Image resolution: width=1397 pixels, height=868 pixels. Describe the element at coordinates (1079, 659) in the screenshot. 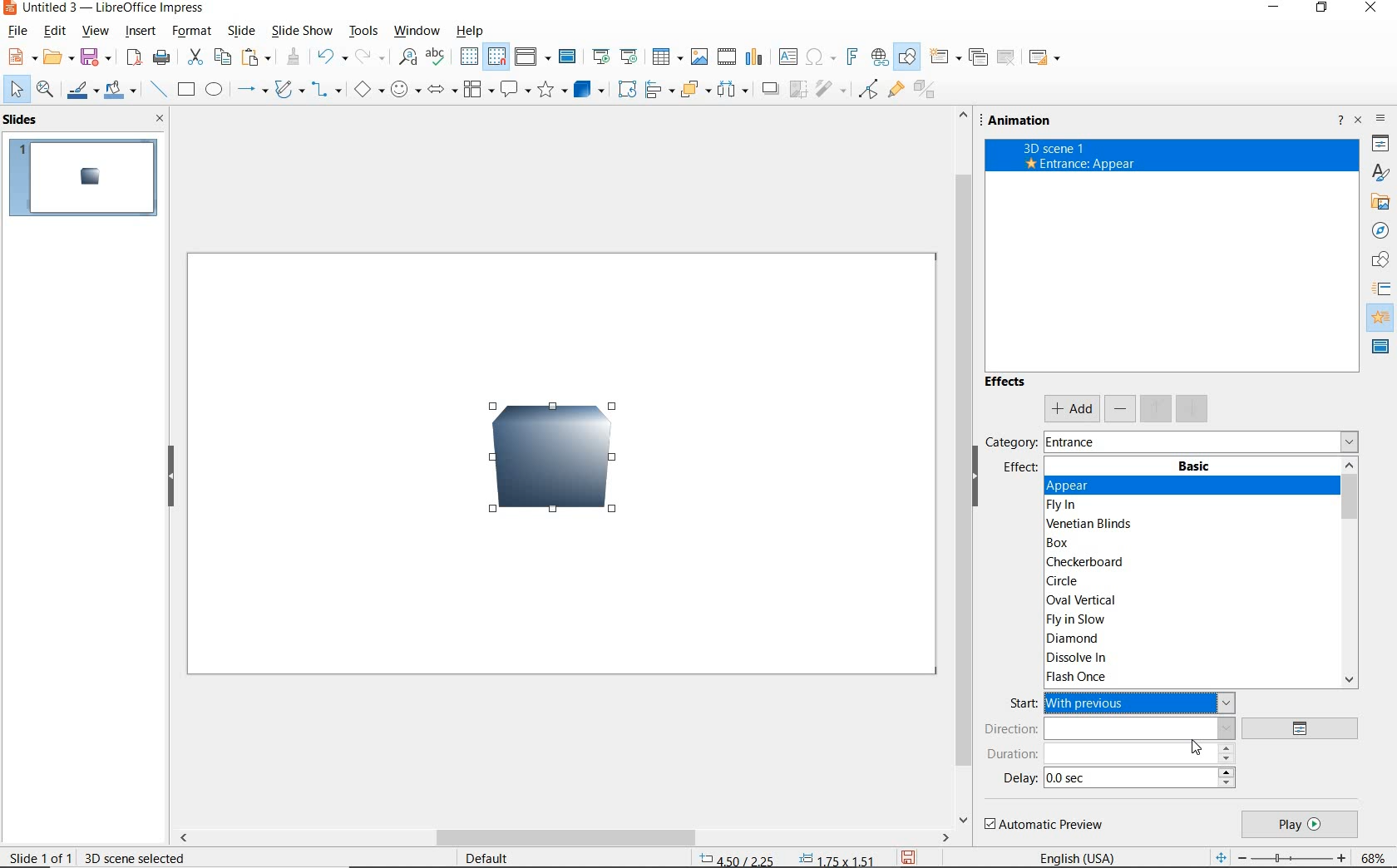

I see `DISSOLVE IN` at that location.